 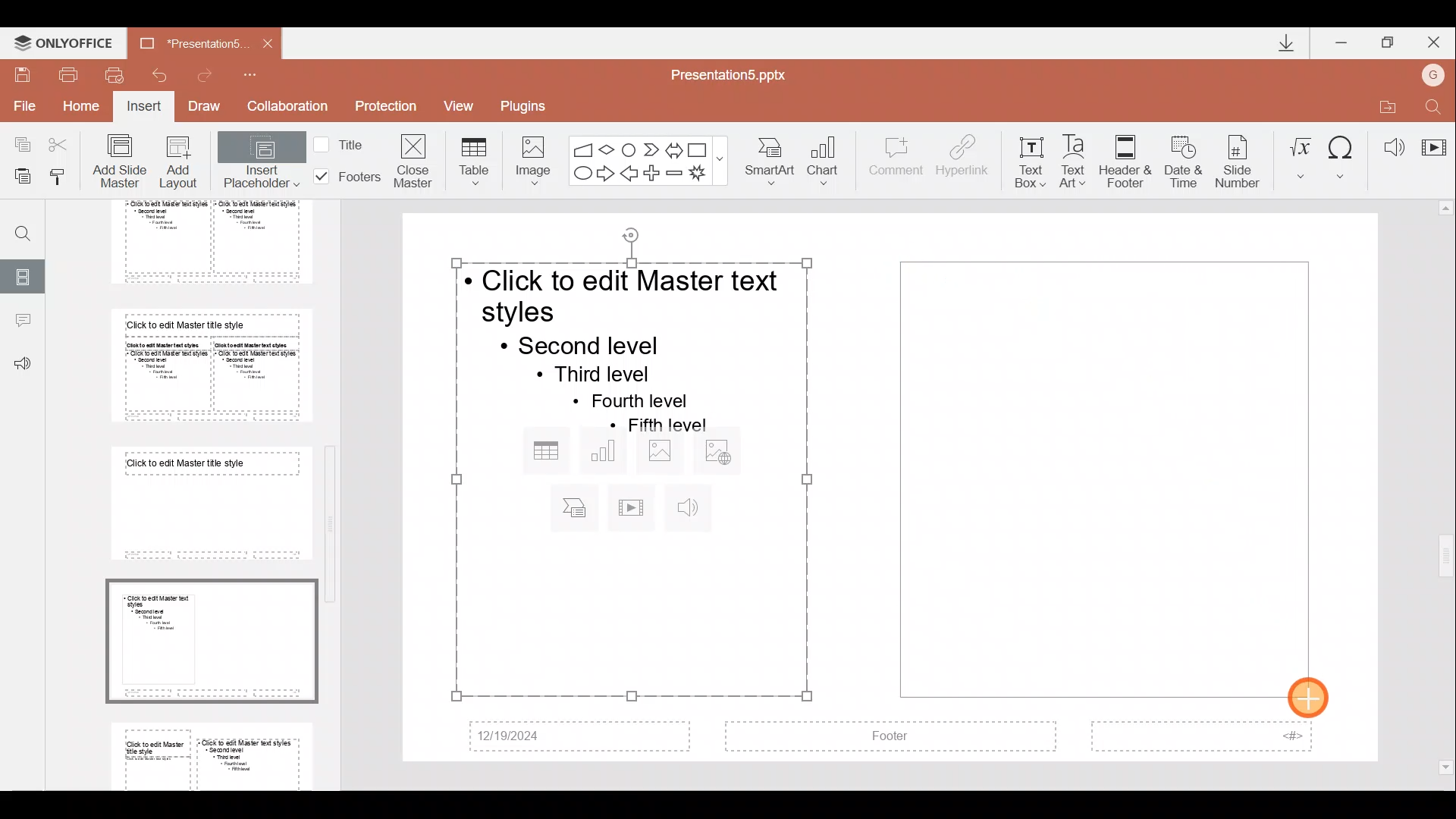 I want to click on Ellipse, so click(x=581, y=174).